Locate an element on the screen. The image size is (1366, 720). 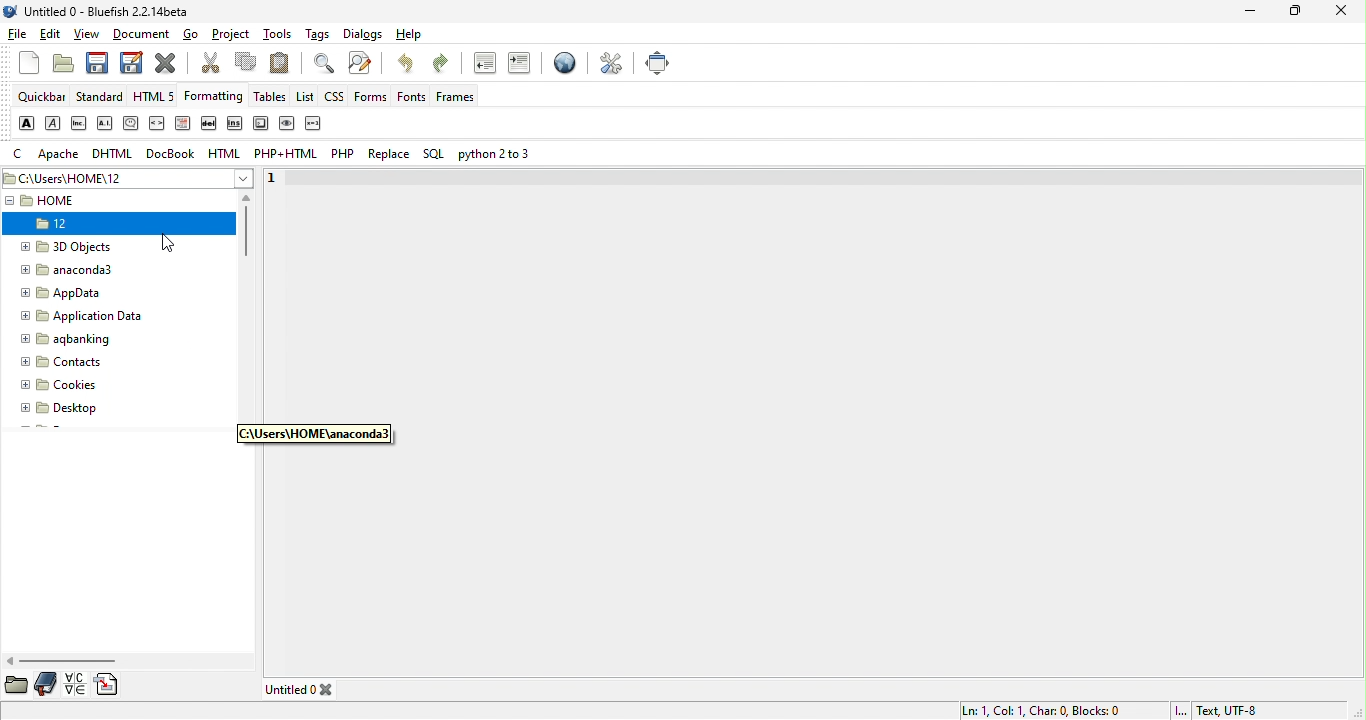
docbook is located at coordinates (172, 155).